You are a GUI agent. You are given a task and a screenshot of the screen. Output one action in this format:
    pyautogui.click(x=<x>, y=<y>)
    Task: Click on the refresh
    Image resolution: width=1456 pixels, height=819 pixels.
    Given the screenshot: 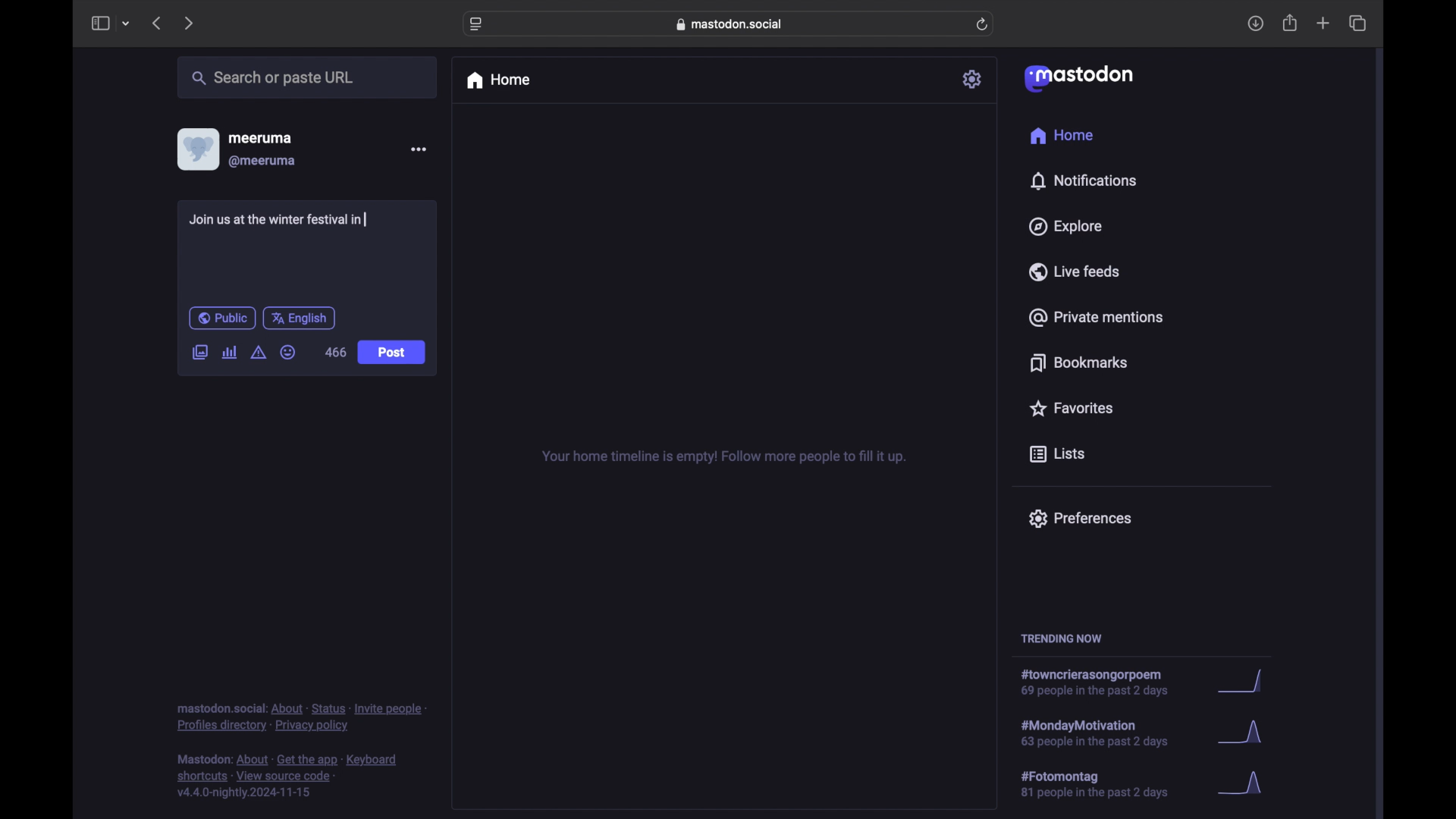 What is the action you would take?
    pyautogui.click(x=984, y=25)
    